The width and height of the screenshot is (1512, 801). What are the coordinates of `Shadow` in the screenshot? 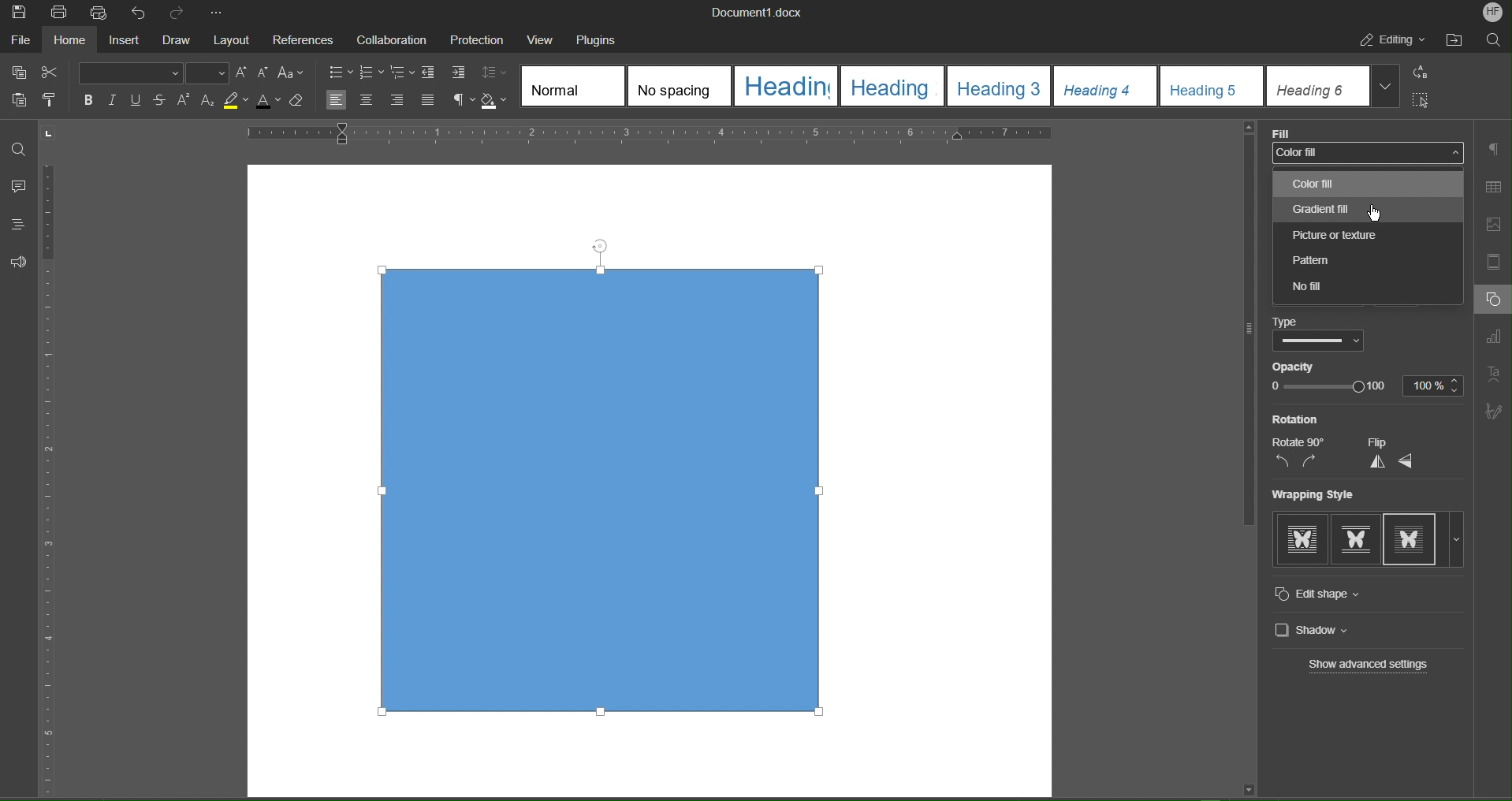 It's located at (497, 102).